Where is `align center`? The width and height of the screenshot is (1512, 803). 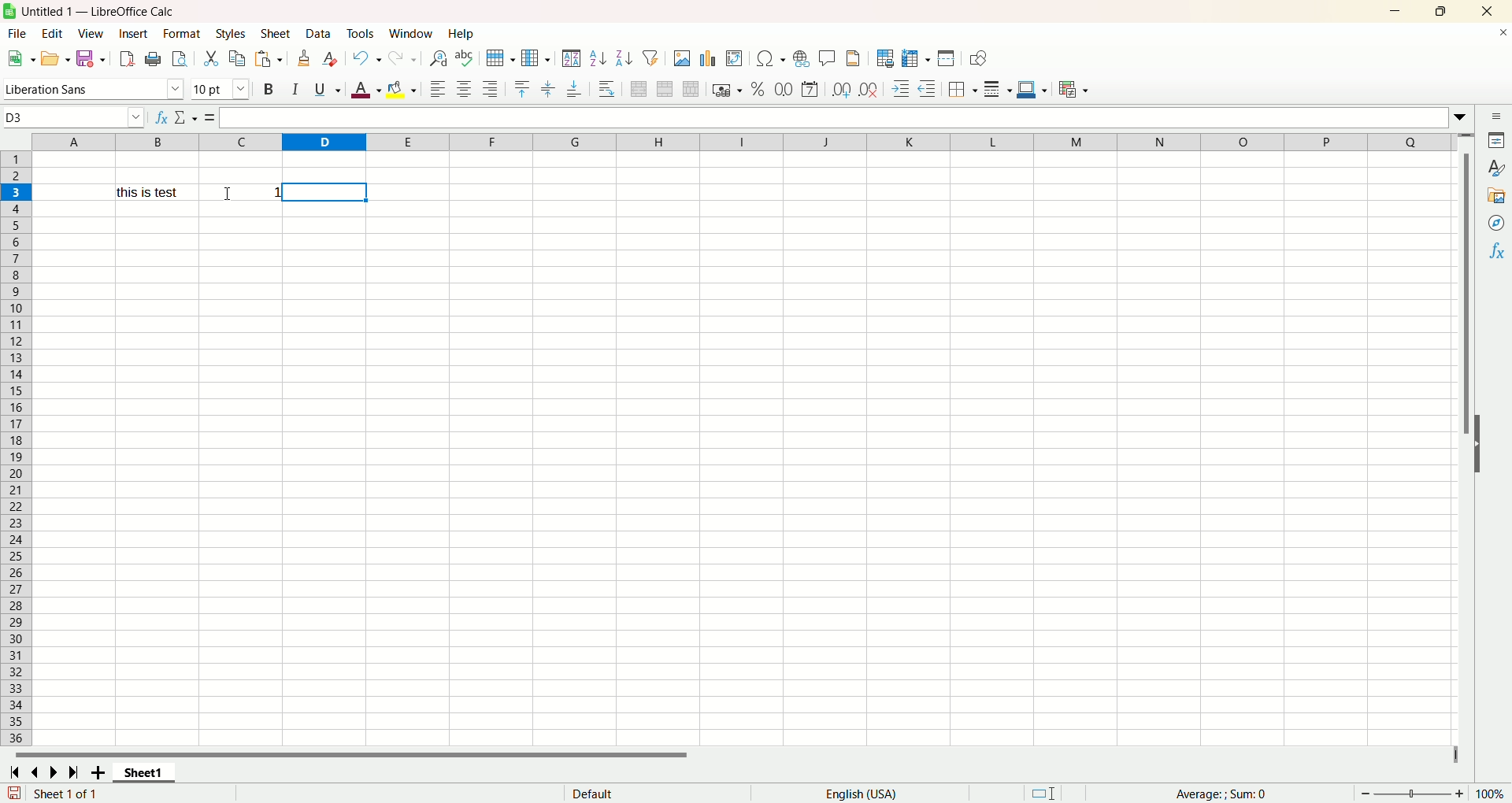
align center is located at coordinates (464, 87).